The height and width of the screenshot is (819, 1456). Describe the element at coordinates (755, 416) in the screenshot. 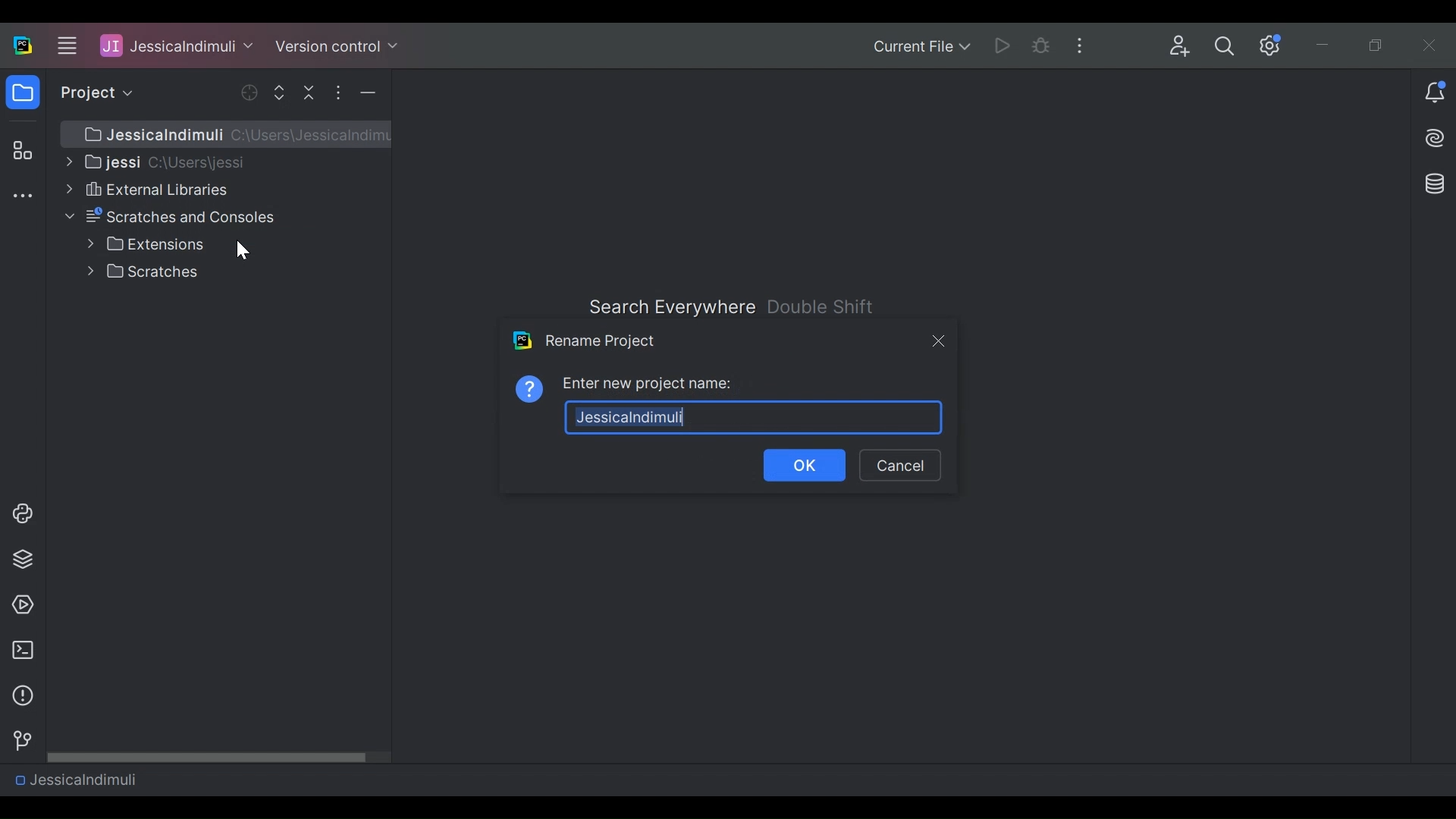

I see `Project name` at that location.